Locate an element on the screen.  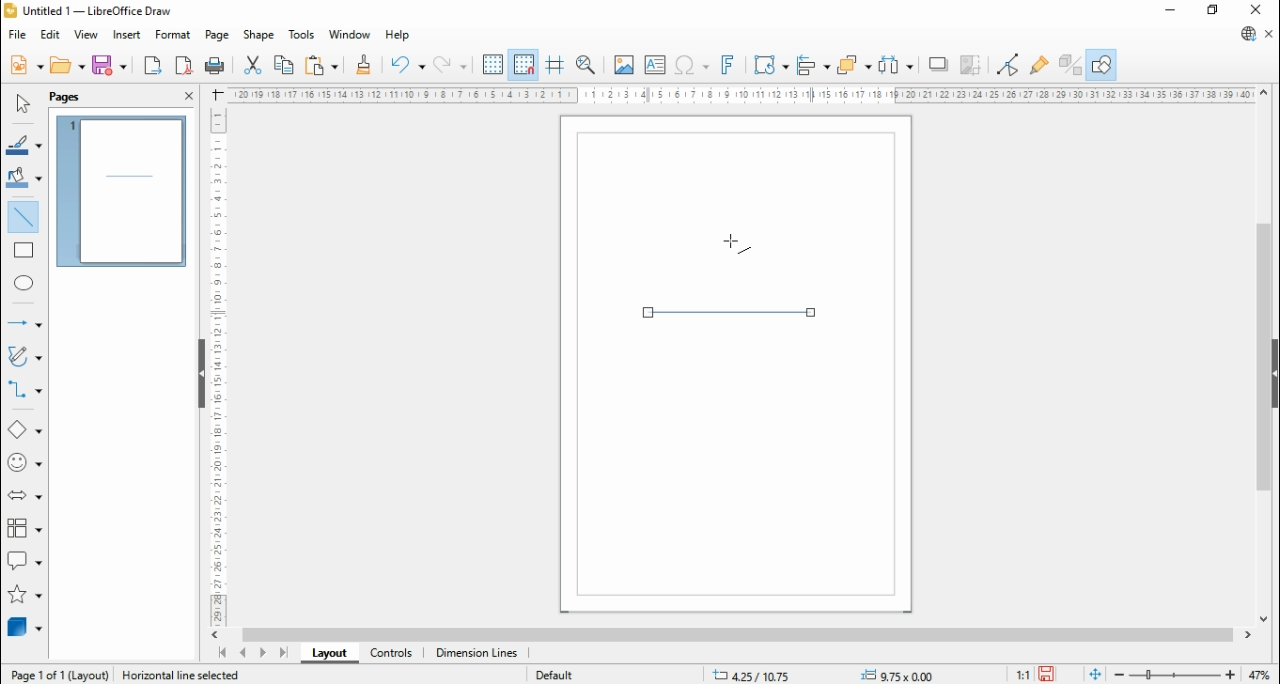
stars and banners is located at coordinates (22, 593).